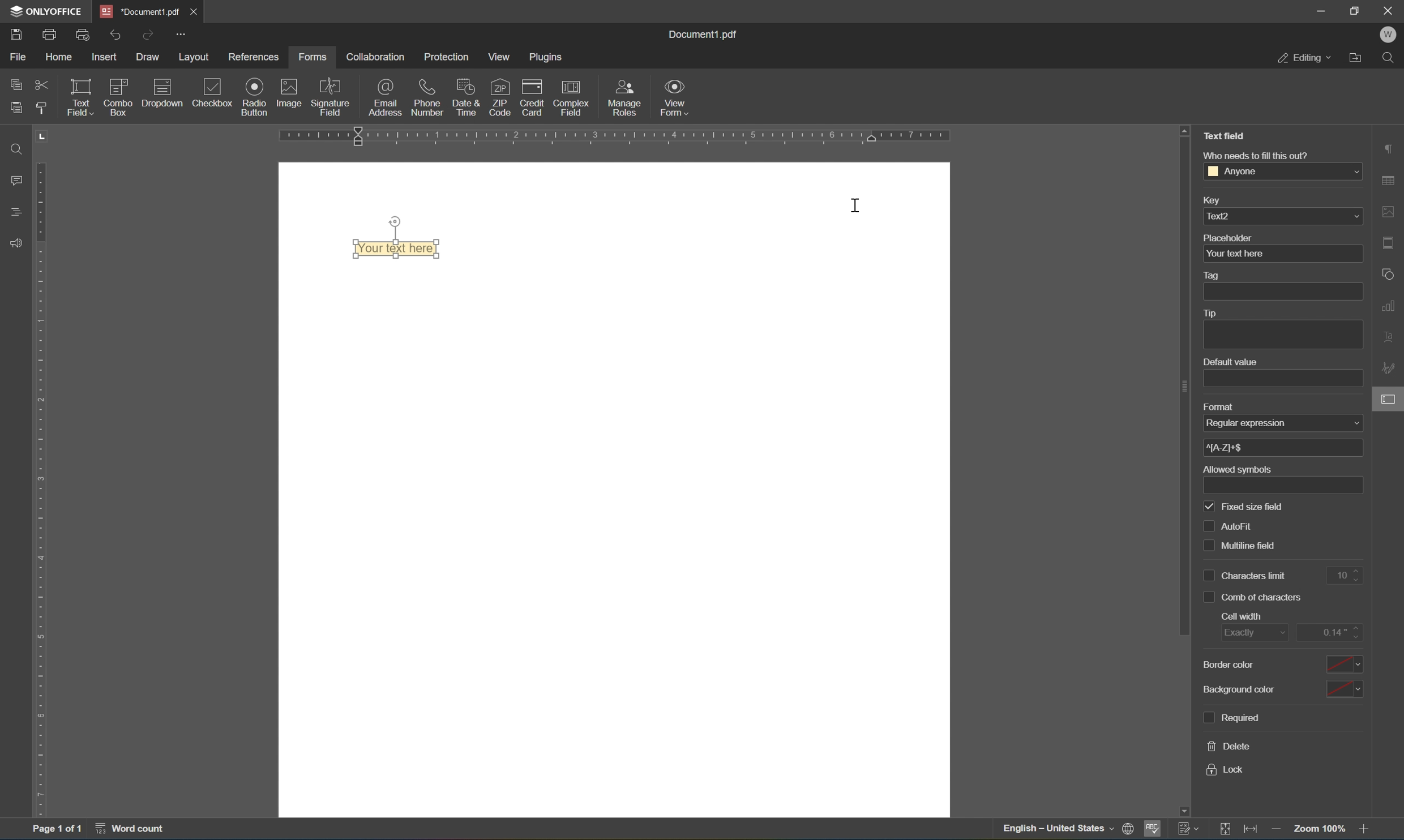 This screenshot has height=840, width=1404. I want to click on spell checking, so click(1154, 829).